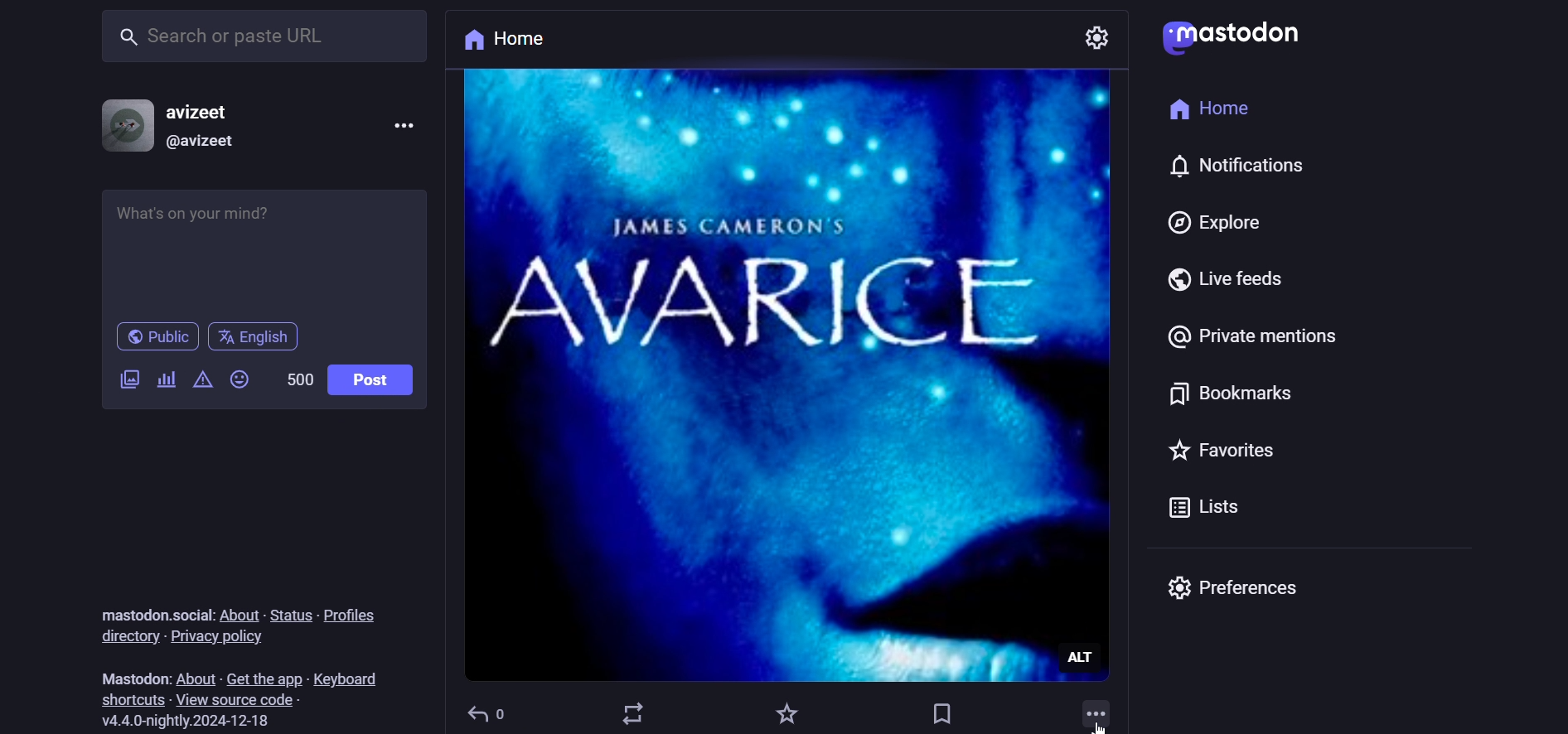 This screenshot has height=734, width=1568. What do you see at coordinates (242, 700) in the screenshot?
I see `source code` at bounding box center [242, 700].